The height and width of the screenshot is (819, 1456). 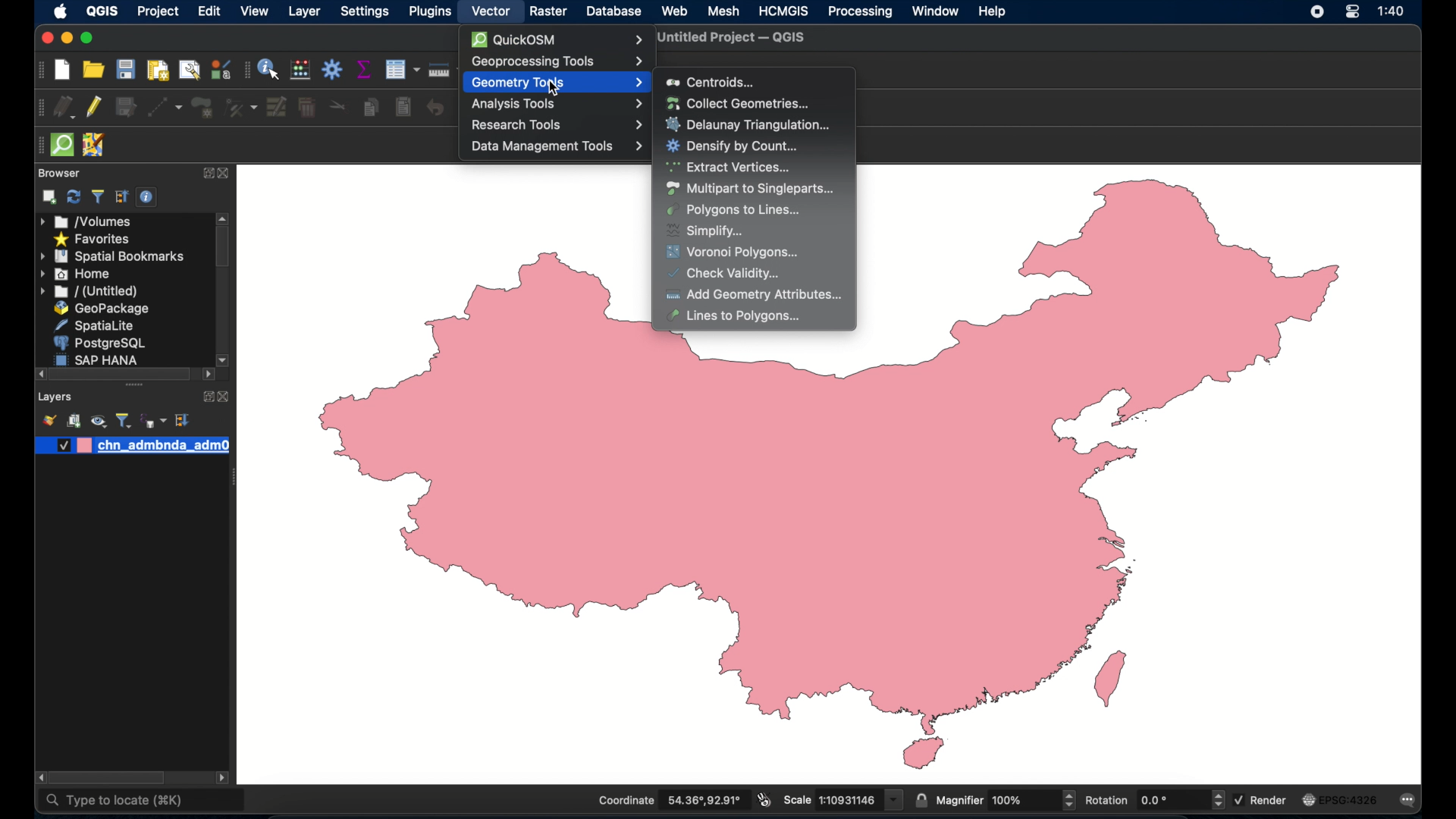 I want to click on enable/disable properties widget, so click(x=148, y=197).